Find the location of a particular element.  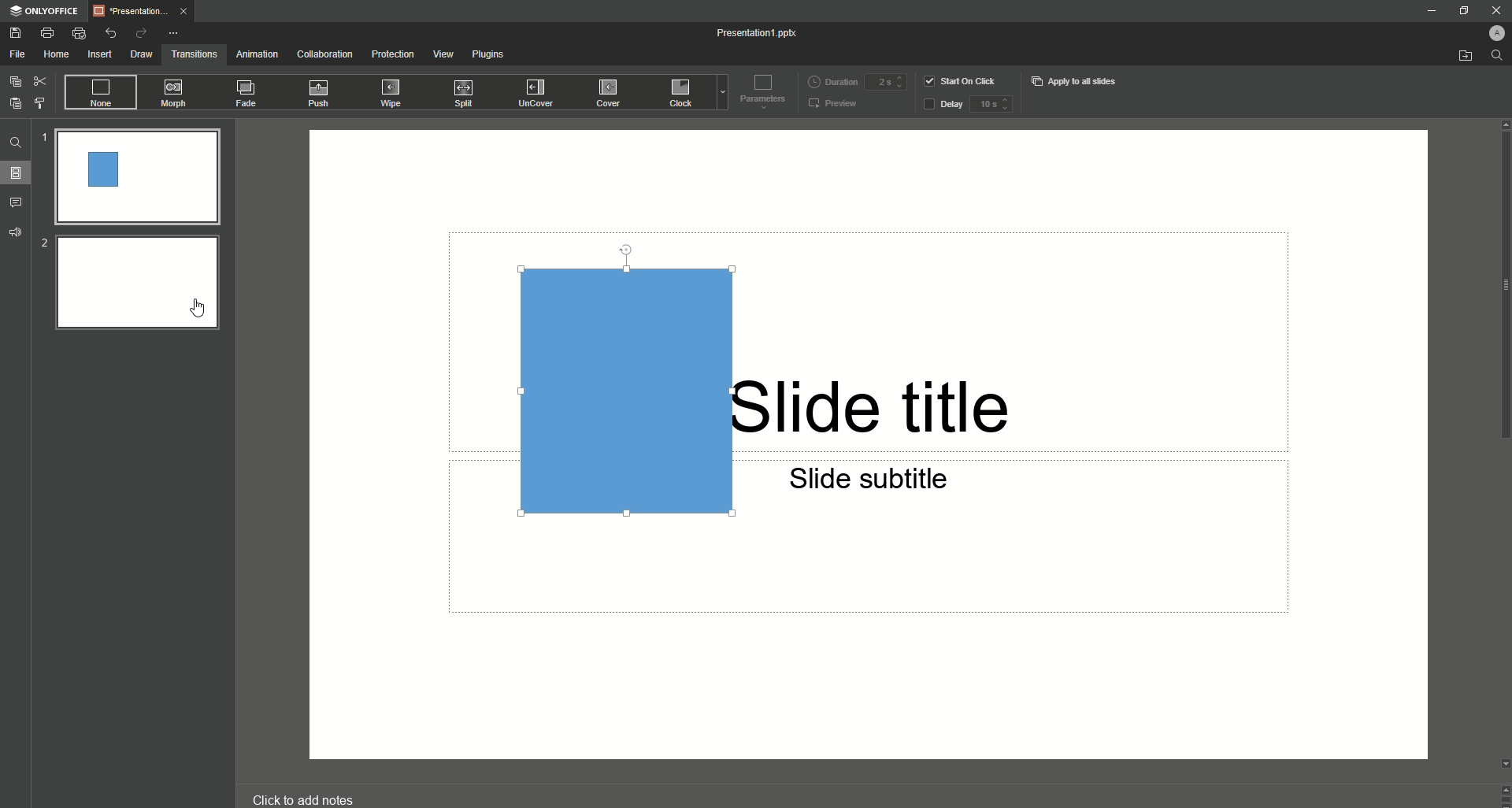

File is located at coordinates (17, 54).